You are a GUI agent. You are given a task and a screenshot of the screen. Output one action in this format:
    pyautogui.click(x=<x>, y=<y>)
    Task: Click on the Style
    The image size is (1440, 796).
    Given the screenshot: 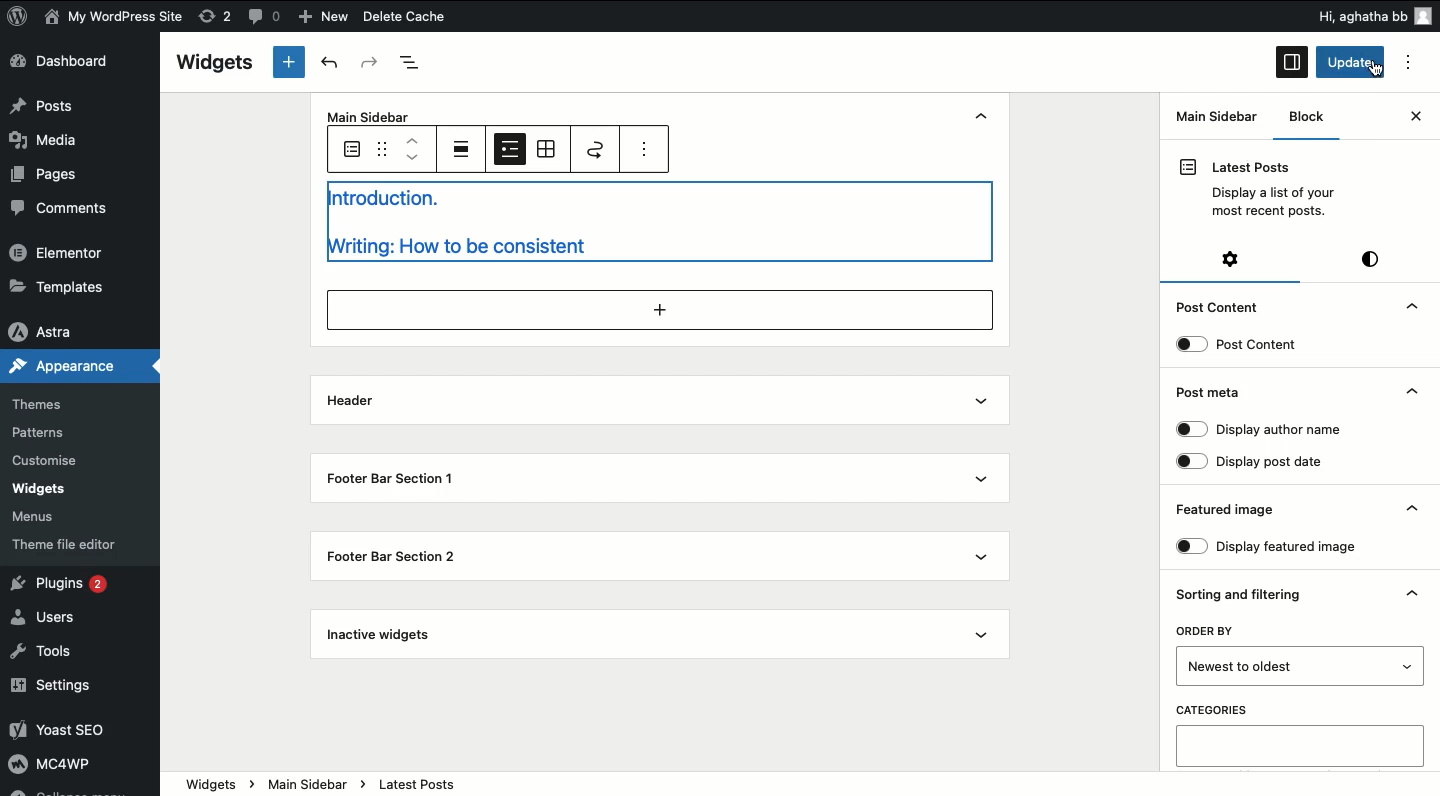 What is the action you would take?
    pyautogui.click(x=1370, y=260)
    